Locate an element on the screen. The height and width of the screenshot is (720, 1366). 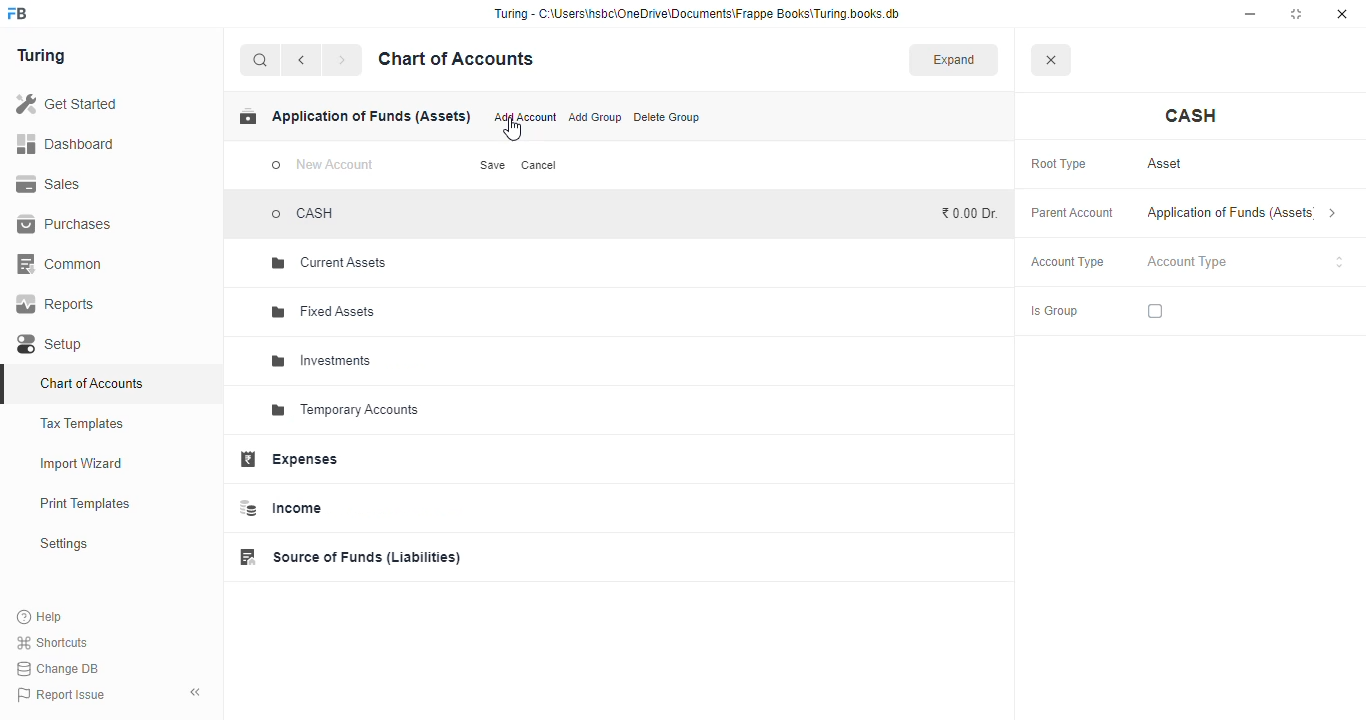
dashboard is located at coordinates (65, 143).